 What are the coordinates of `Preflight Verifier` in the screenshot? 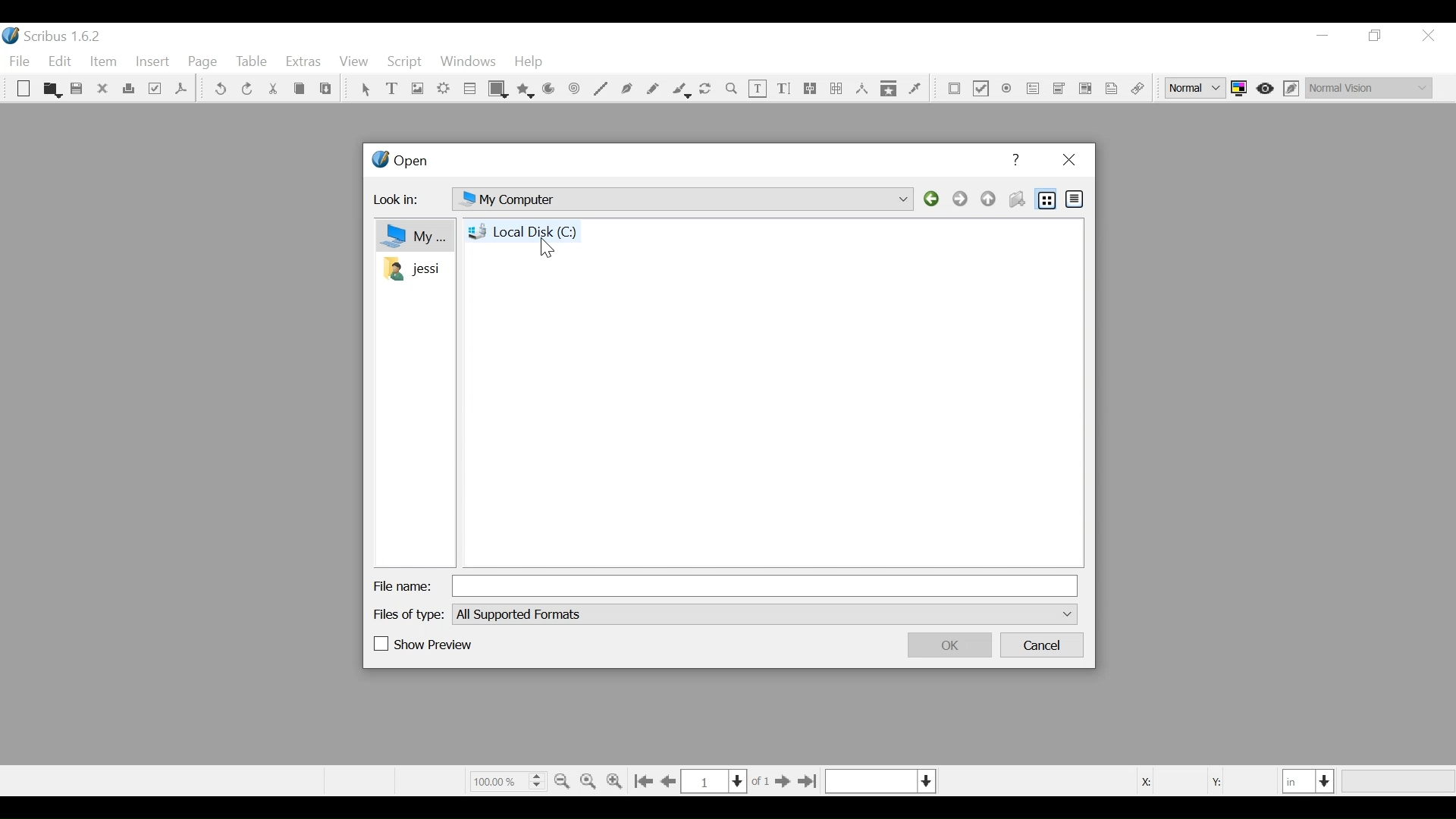 It's located at (156, 90).